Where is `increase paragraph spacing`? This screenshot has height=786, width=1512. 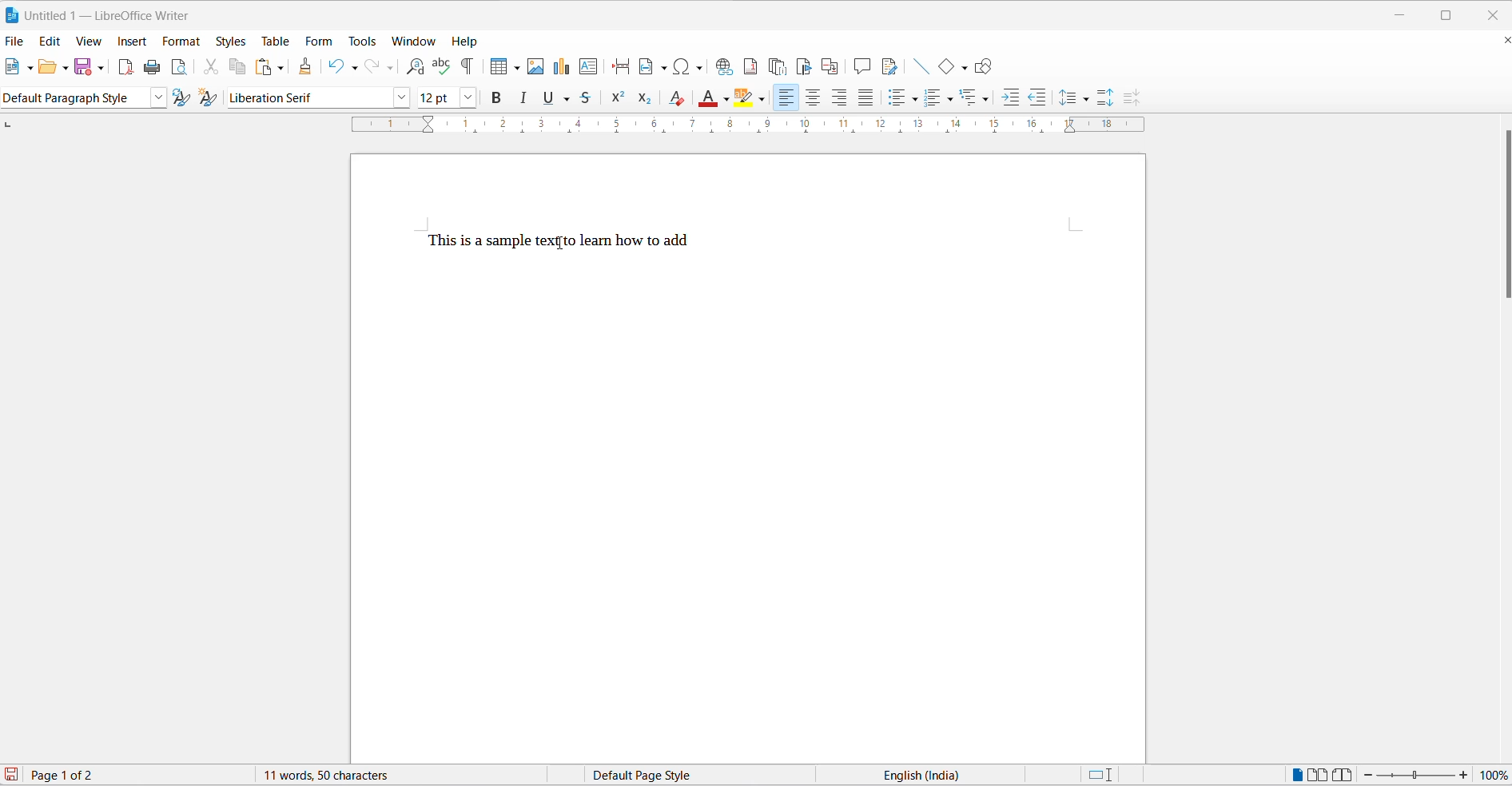
increase paragraph spacing is located at coordinates (1108, 97).